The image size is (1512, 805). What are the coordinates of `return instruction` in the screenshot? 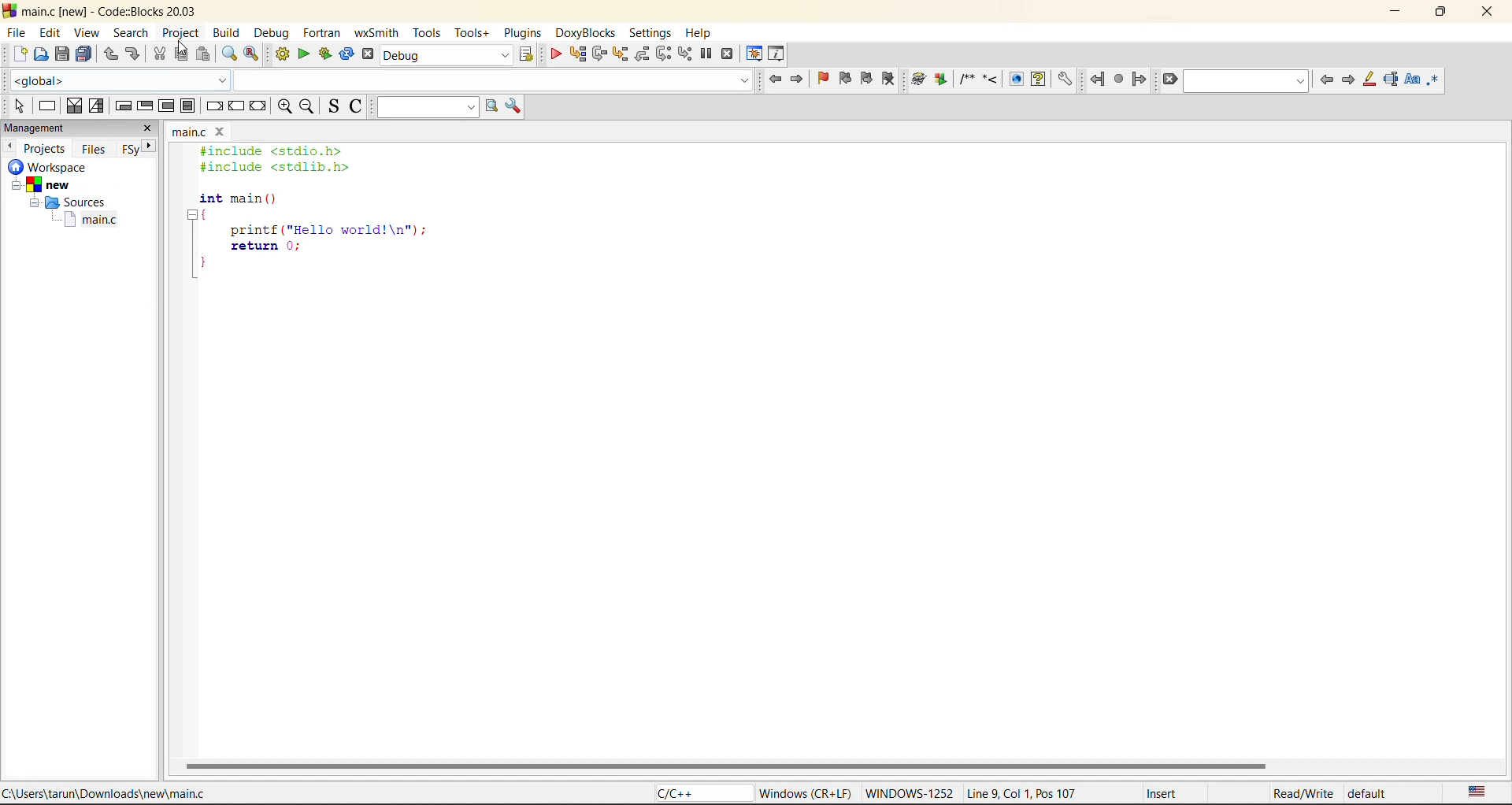 It's located at (258, 107).